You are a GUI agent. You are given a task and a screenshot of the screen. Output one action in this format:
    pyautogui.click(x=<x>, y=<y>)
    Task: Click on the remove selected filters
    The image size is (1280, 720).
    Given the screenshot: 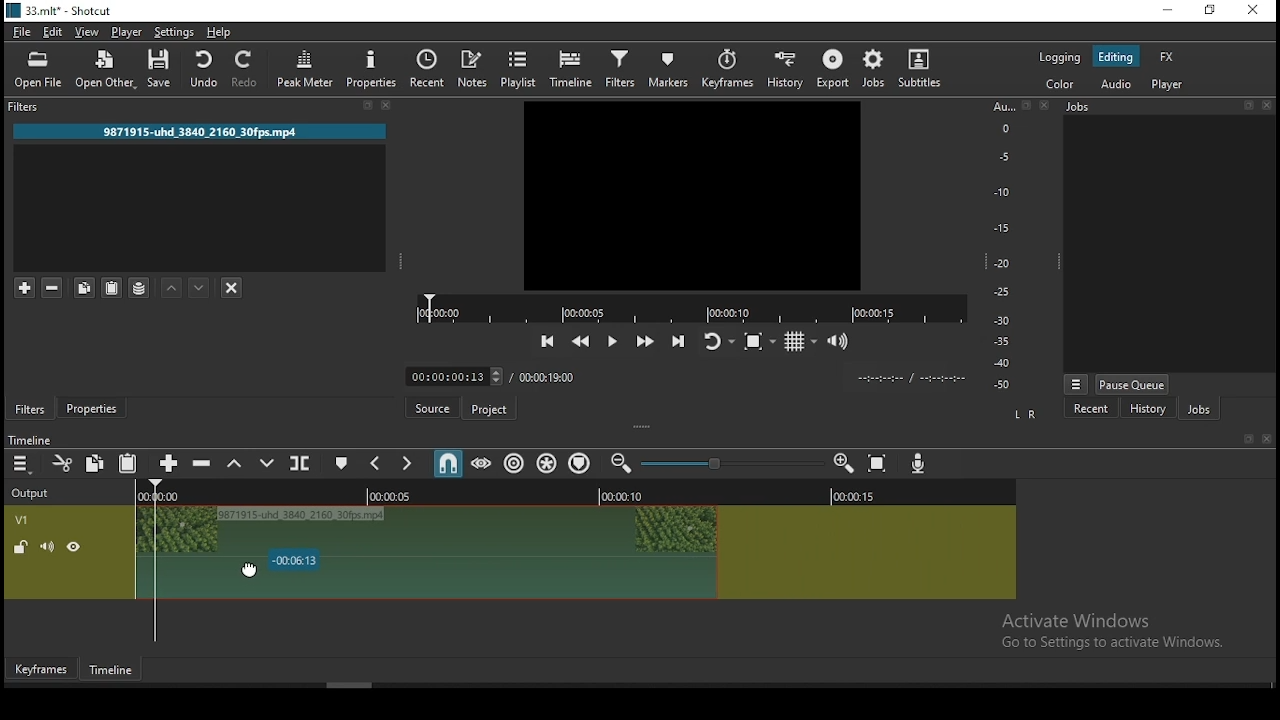 What is the action you would take?
    pyautogui.click(x=55, y=285)
    